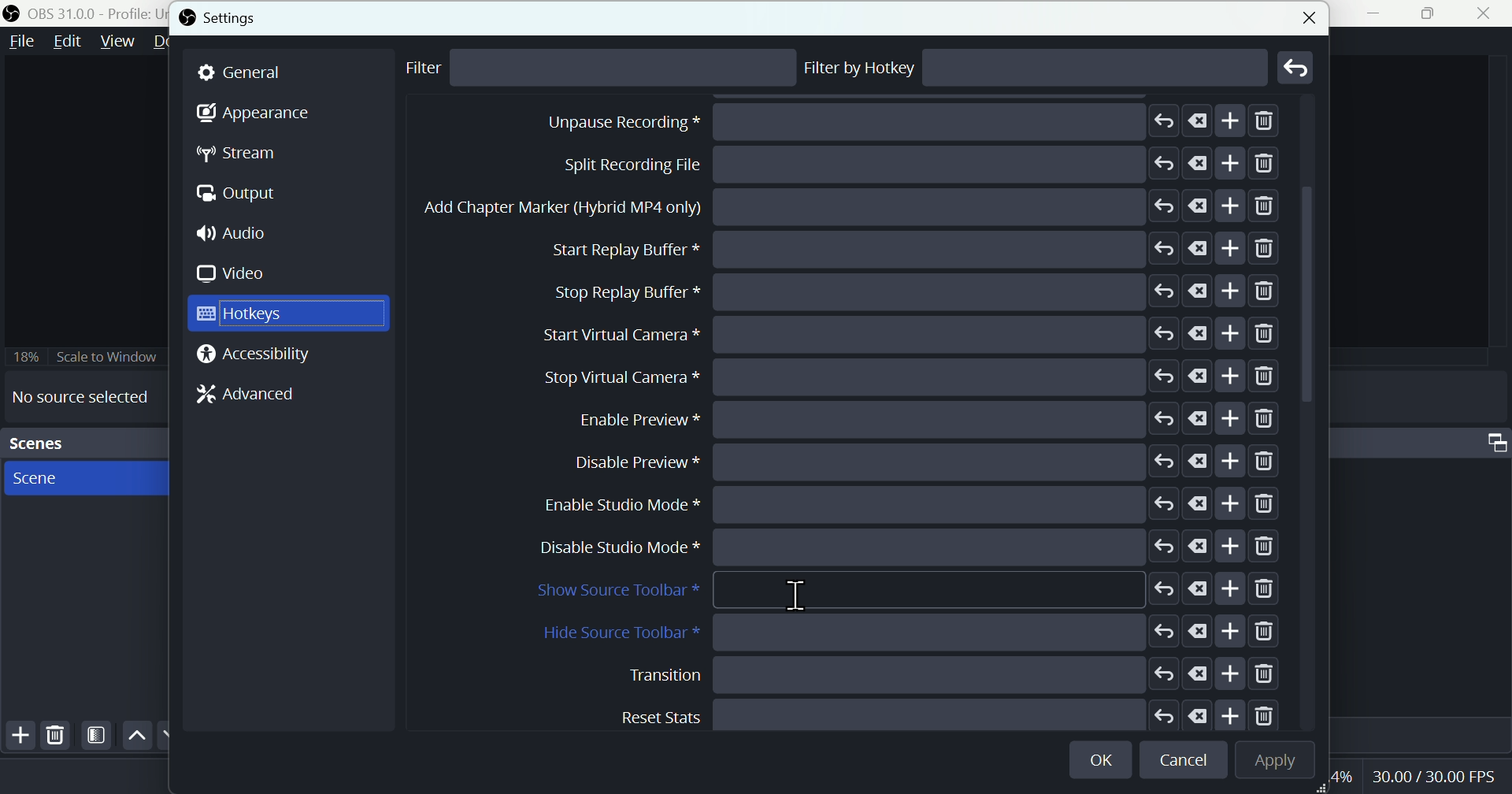 The height and width of the screenshot is (794, 1512). I want to click on Accessibility, so click(258, 355).